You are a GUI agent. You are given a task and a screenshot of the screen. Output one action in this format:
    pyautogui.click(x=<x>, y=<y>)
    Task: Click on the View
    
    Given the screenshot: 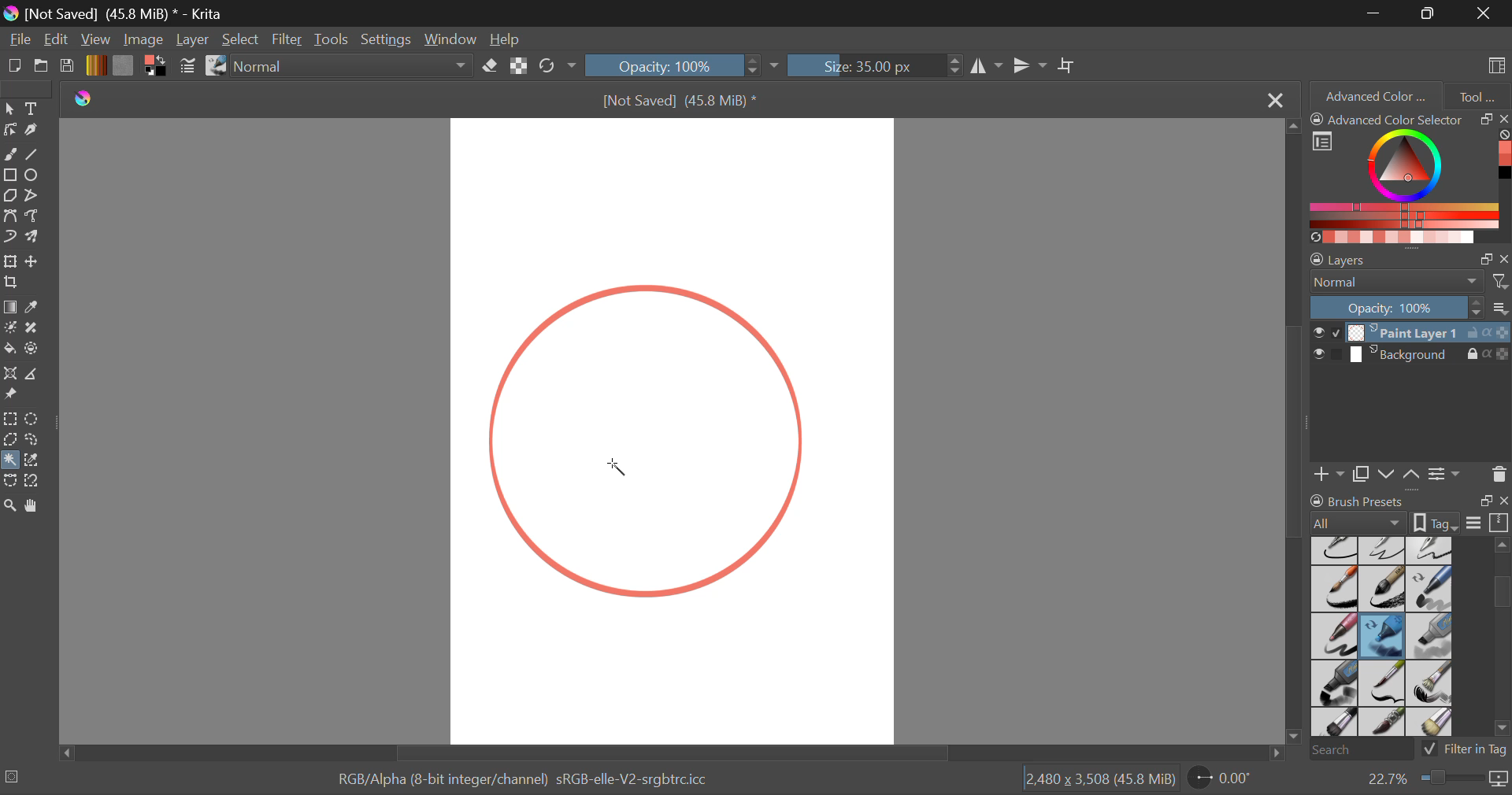 What is the action you would take?
    pyautogui.click(x=98, y=40)
    